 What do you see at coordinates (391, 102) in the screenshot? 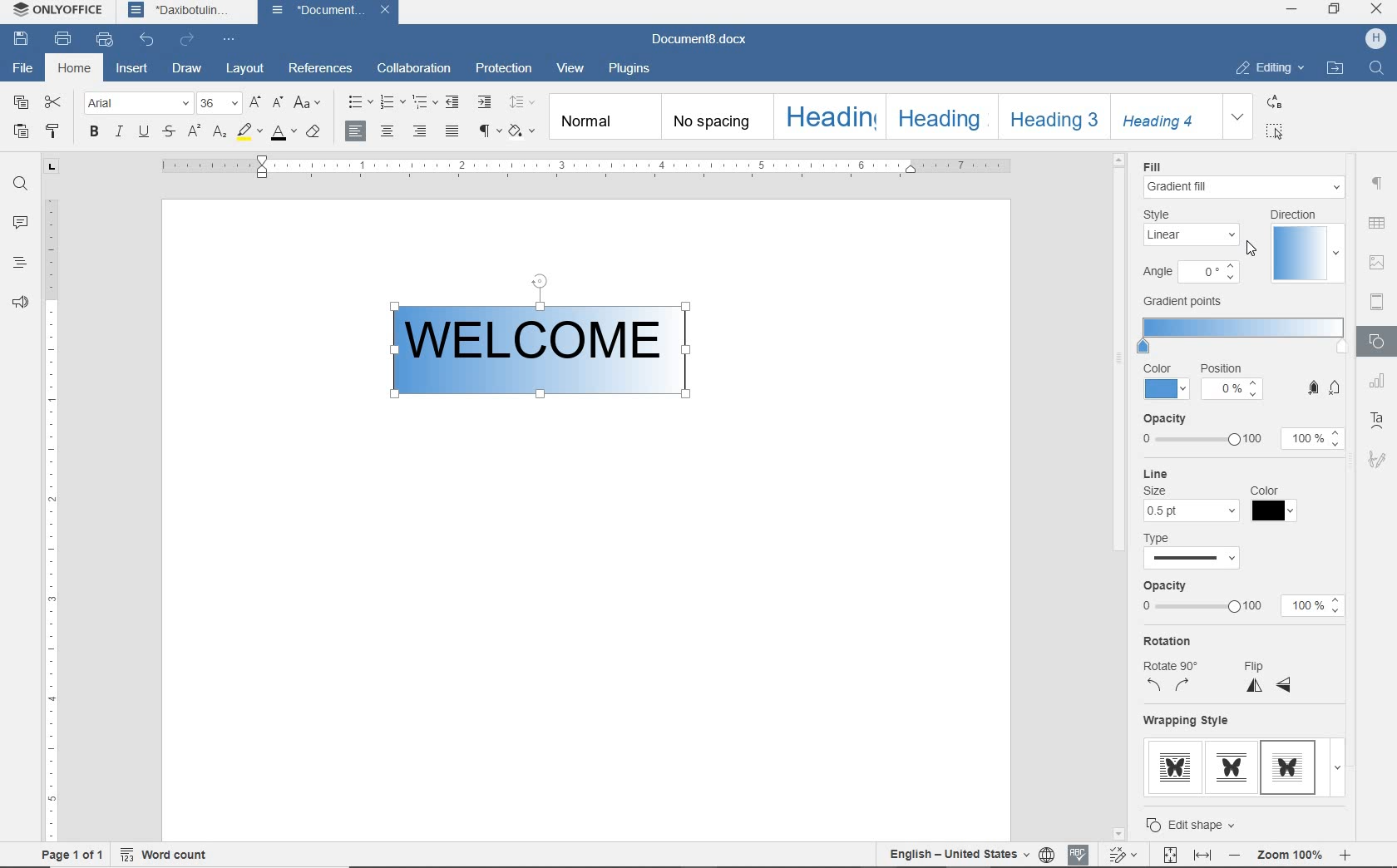
I see `NUMBERING` at bounding box center [391, 102].